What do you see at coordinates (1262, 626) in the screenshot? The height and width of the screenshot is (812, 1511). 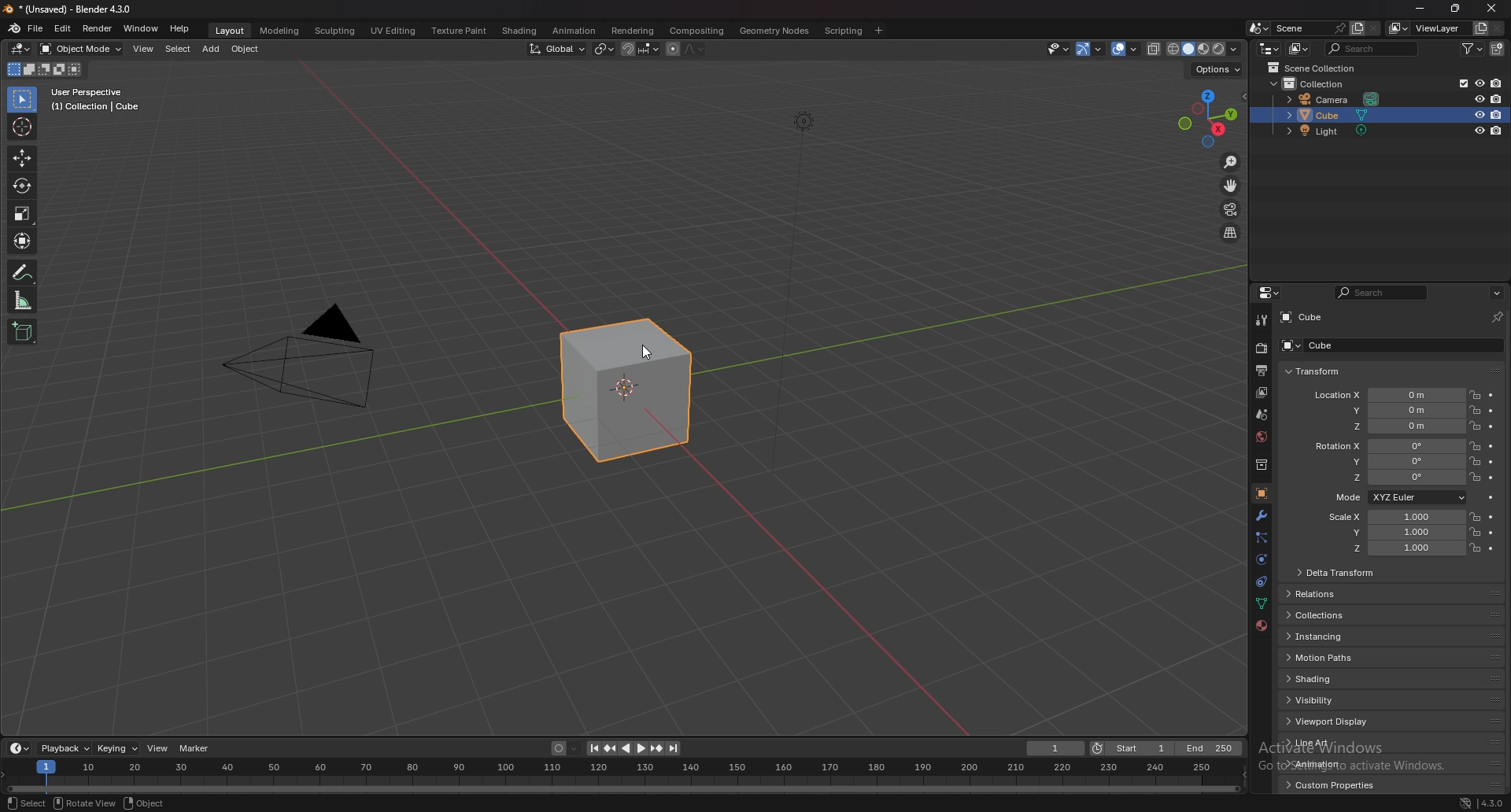 I see `material` at bounding box center [1262, 626].